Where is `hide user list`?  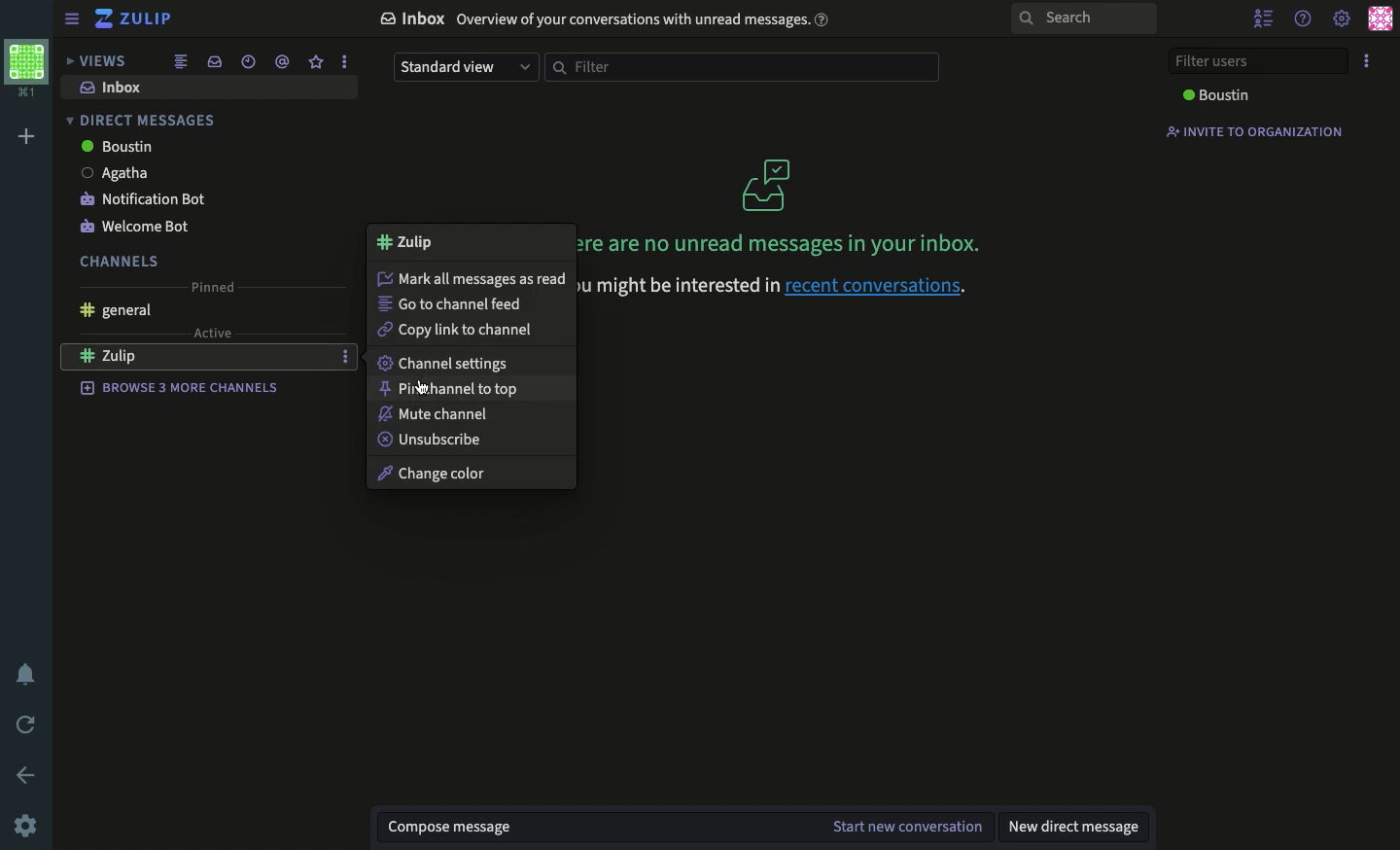 hide user list is located at coordinates (1264, 20).